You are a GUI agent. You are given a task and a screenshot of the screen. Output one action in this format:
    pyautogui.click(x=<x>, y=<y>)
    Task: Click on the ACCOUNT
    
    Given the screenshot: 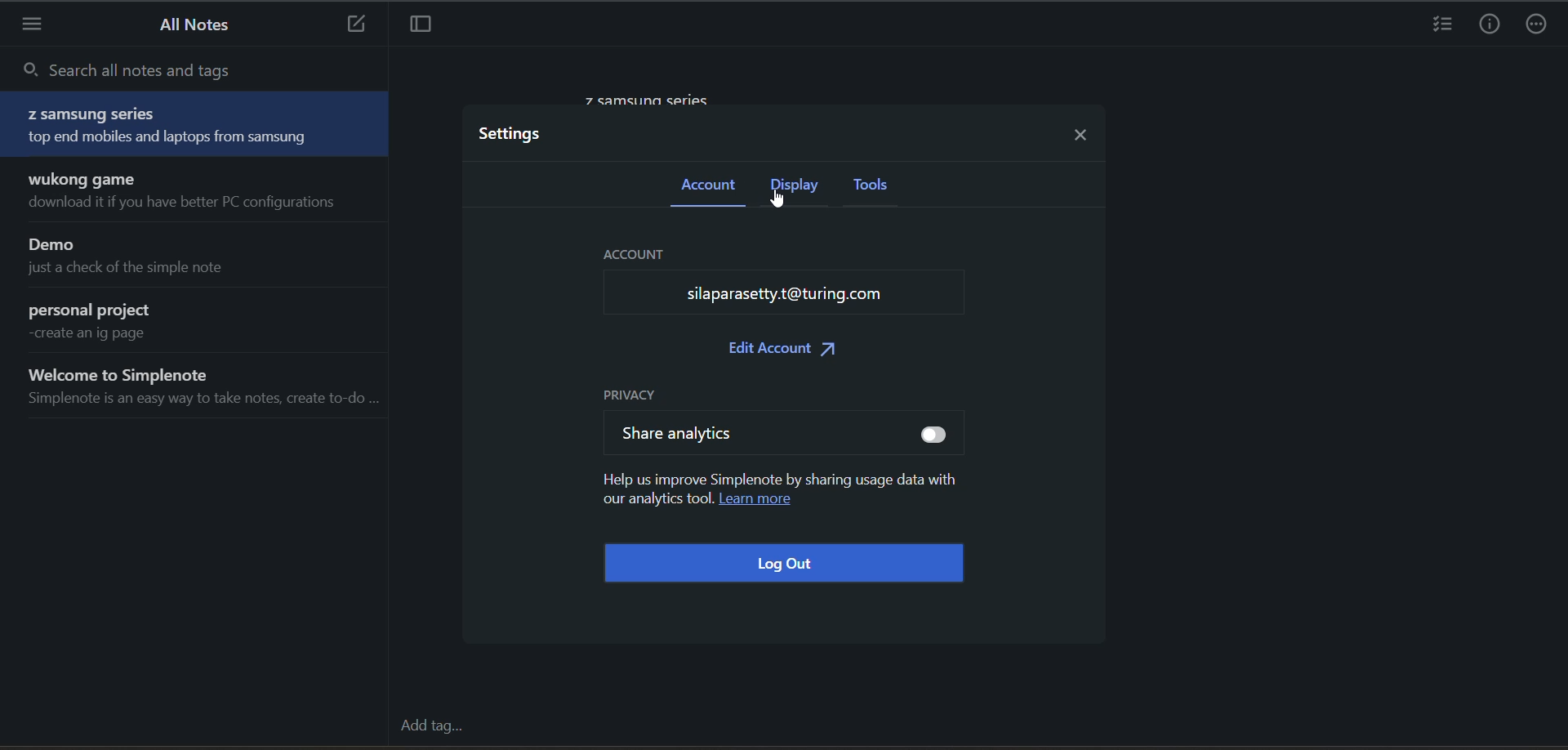 What is the action you would take?
    pyautogui.click(x=633, y=252)
    